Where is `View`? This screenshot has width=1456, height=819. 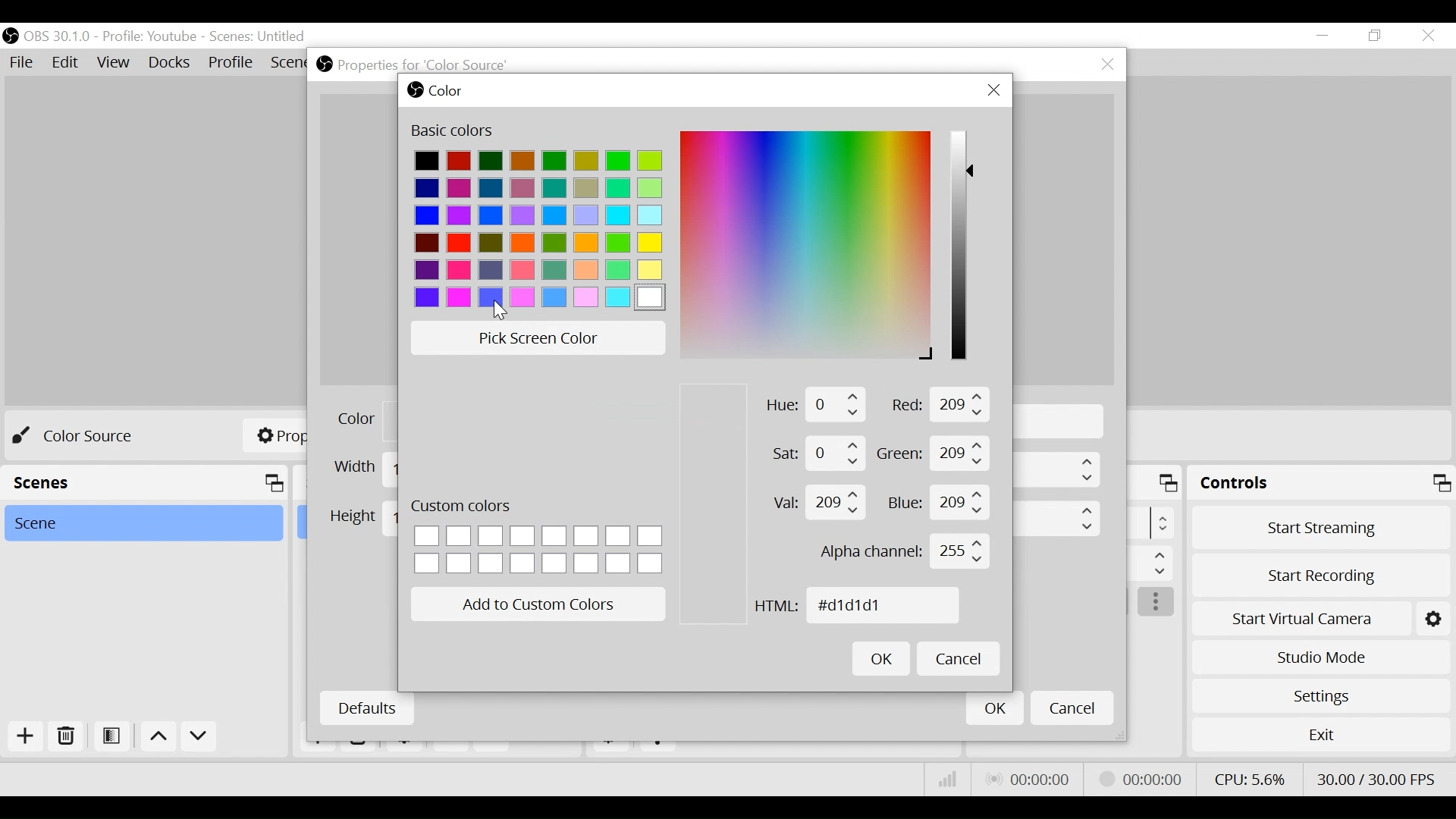
View is located at coordinates (112, 62).